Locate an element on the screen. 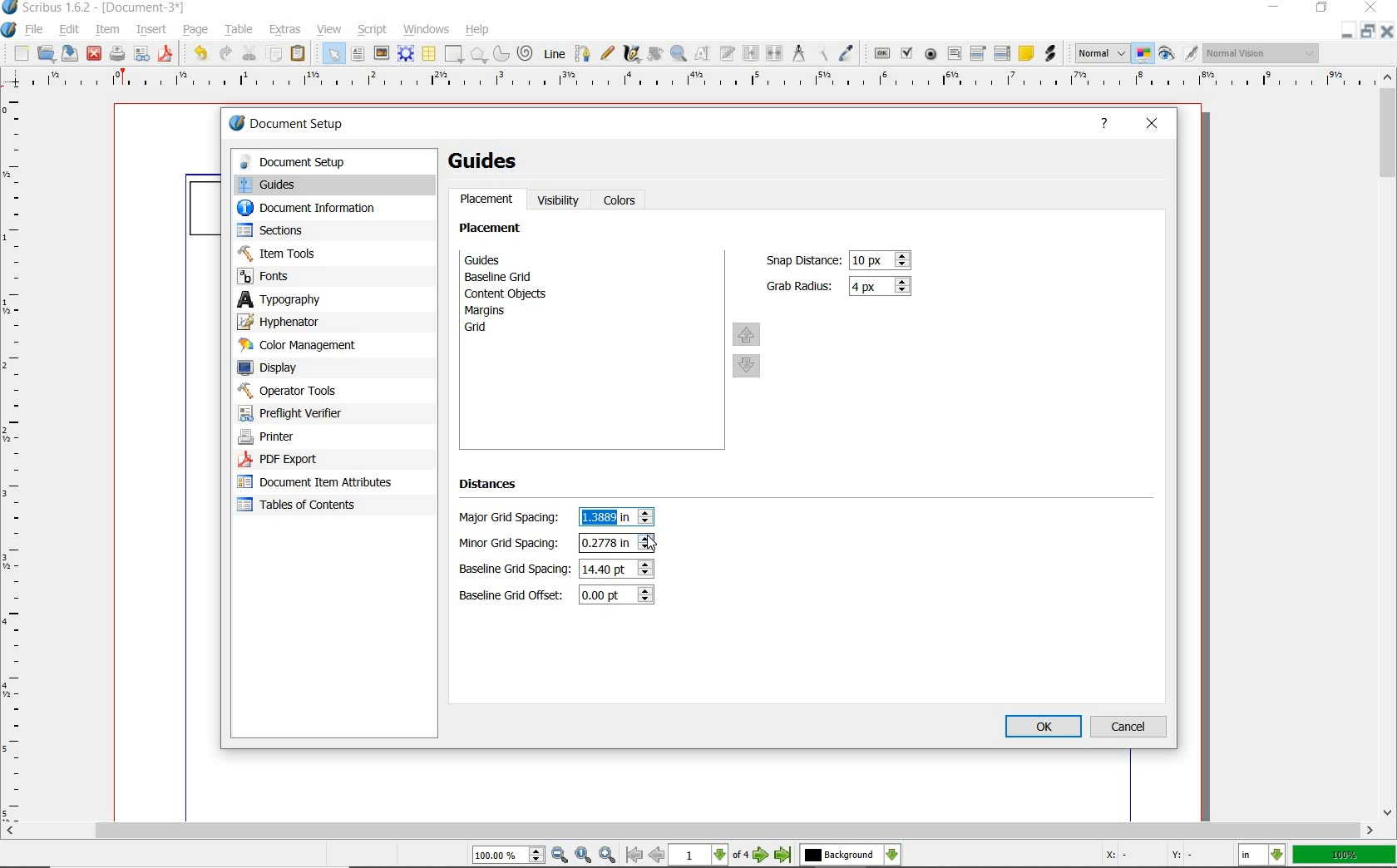 Image resolution: width=1397 pixels, height=868 pixels. pdf list box is located at coordinates (1003, 52).